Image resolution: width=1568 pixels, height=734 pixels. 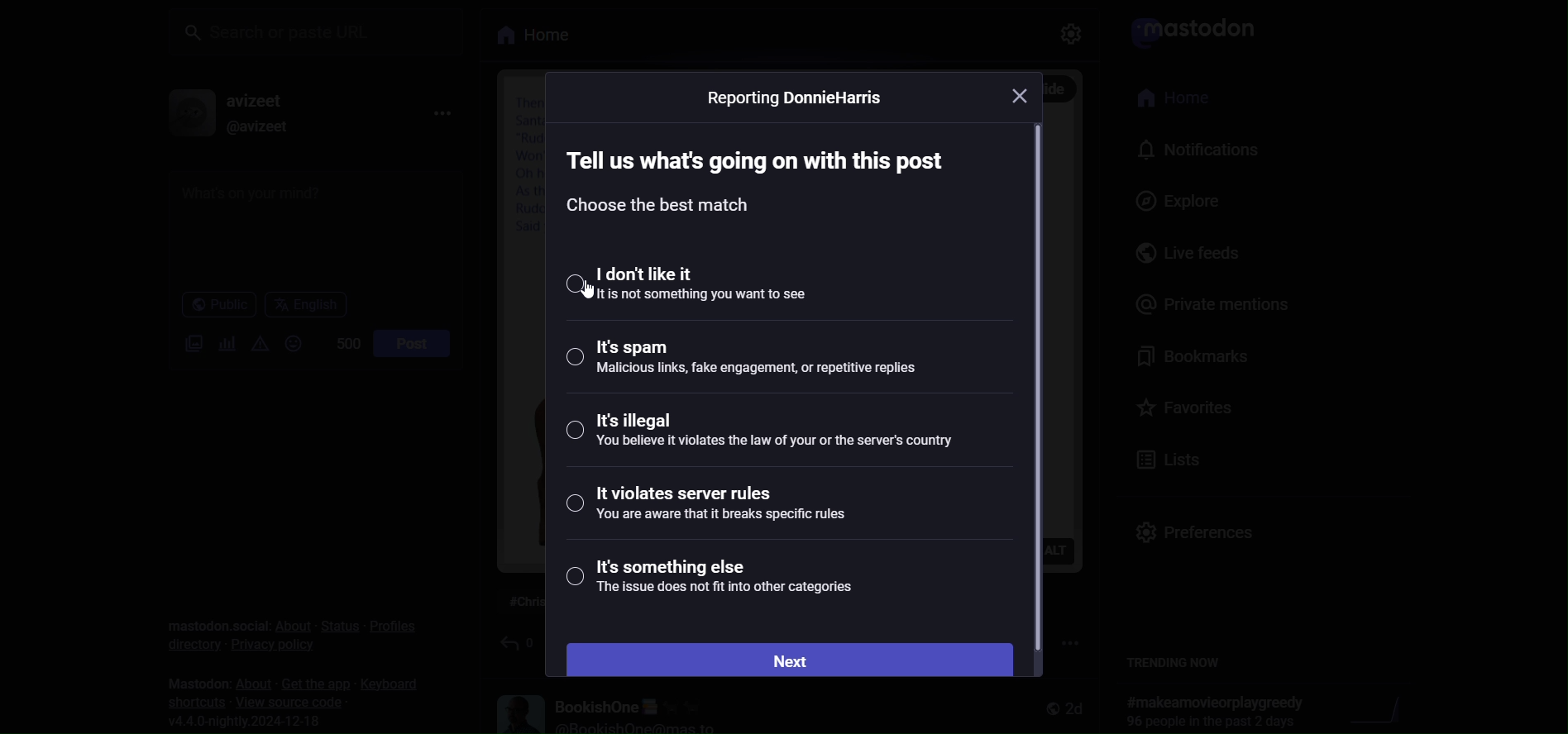 What do you see at coordinates (248, 682) in the screenshot?
I see `about` at bounding box center [248, 682].